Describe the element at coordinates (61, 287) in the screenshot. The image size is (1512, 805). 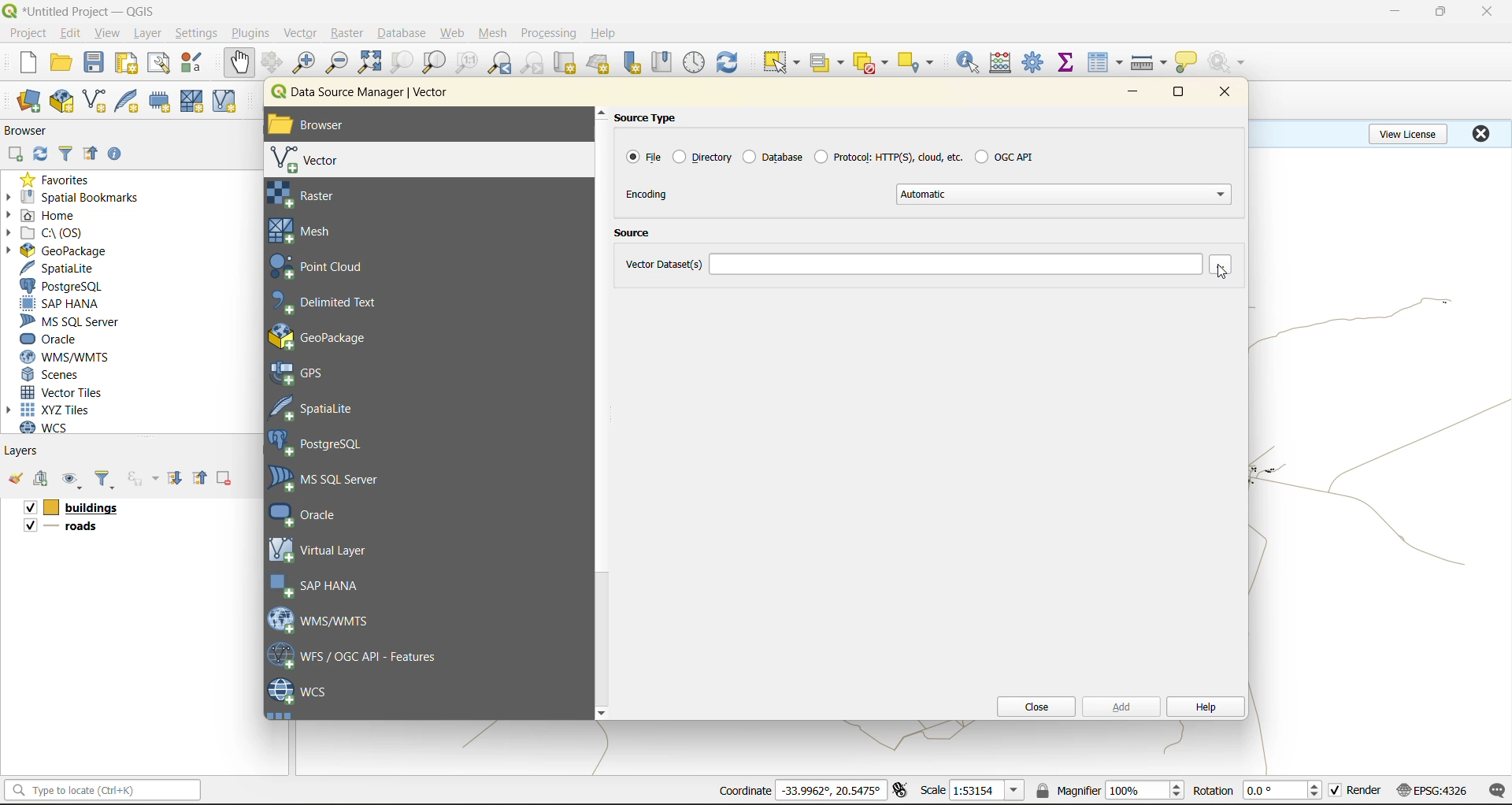
I see `postgresql` at that location.